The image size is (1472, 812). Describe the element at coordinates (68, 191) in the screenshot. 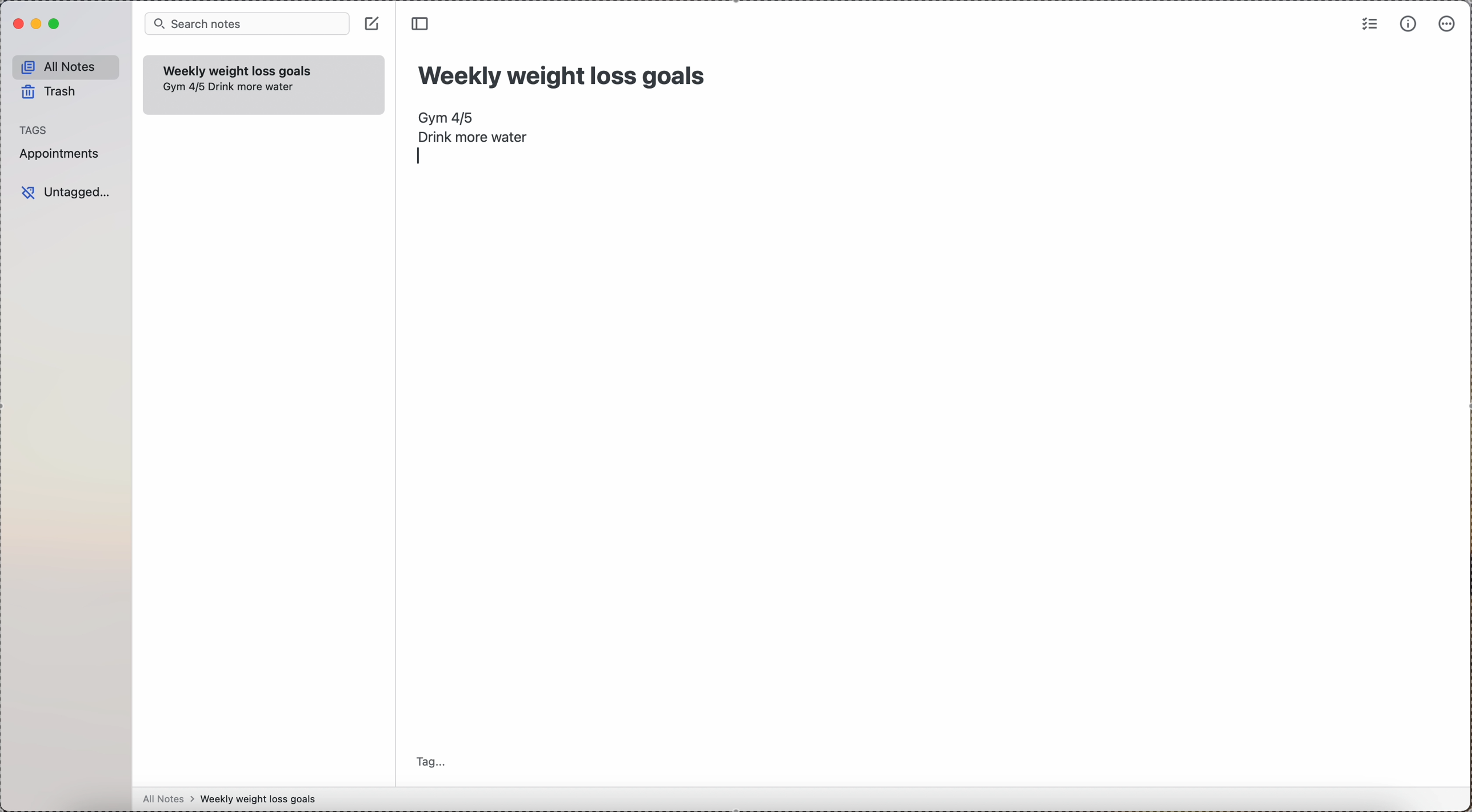

I see `untagged` at that location.